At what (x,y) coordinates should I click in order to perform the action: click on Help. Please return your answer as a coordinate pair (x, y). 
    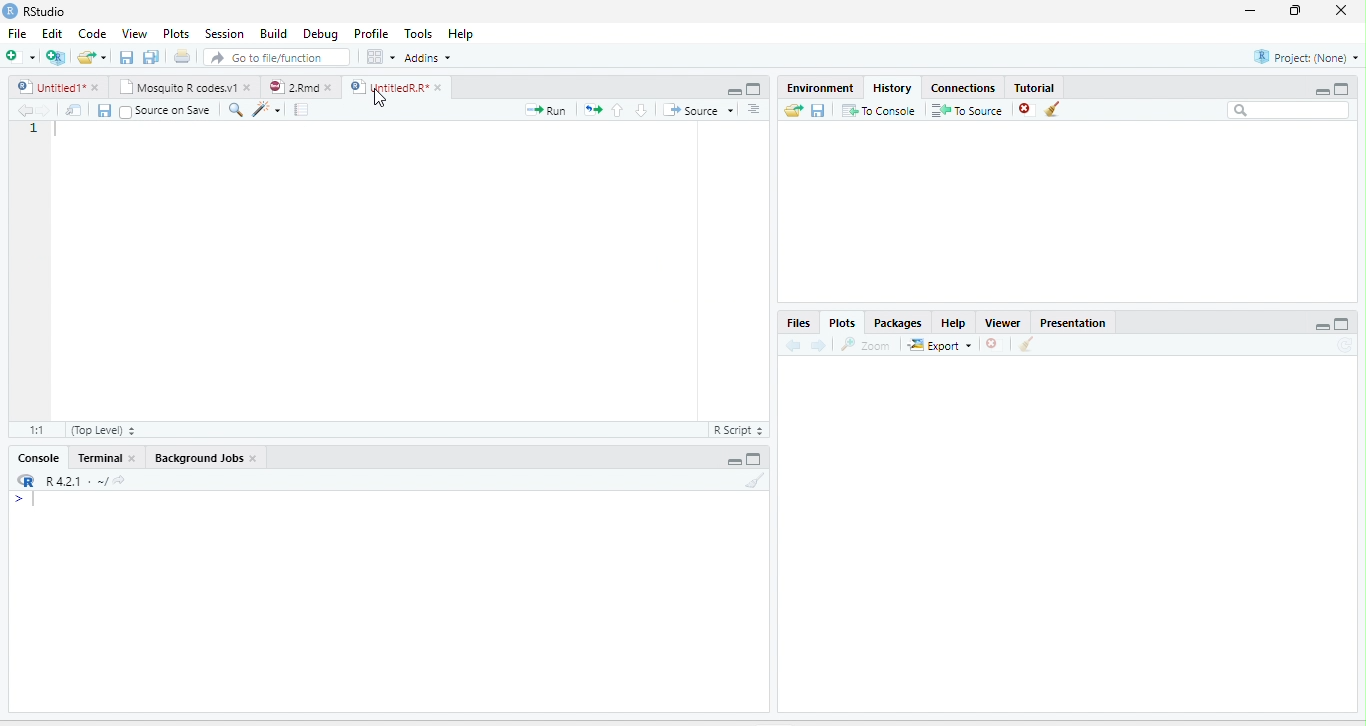
    Looking at the image, I should click on (954, 323).